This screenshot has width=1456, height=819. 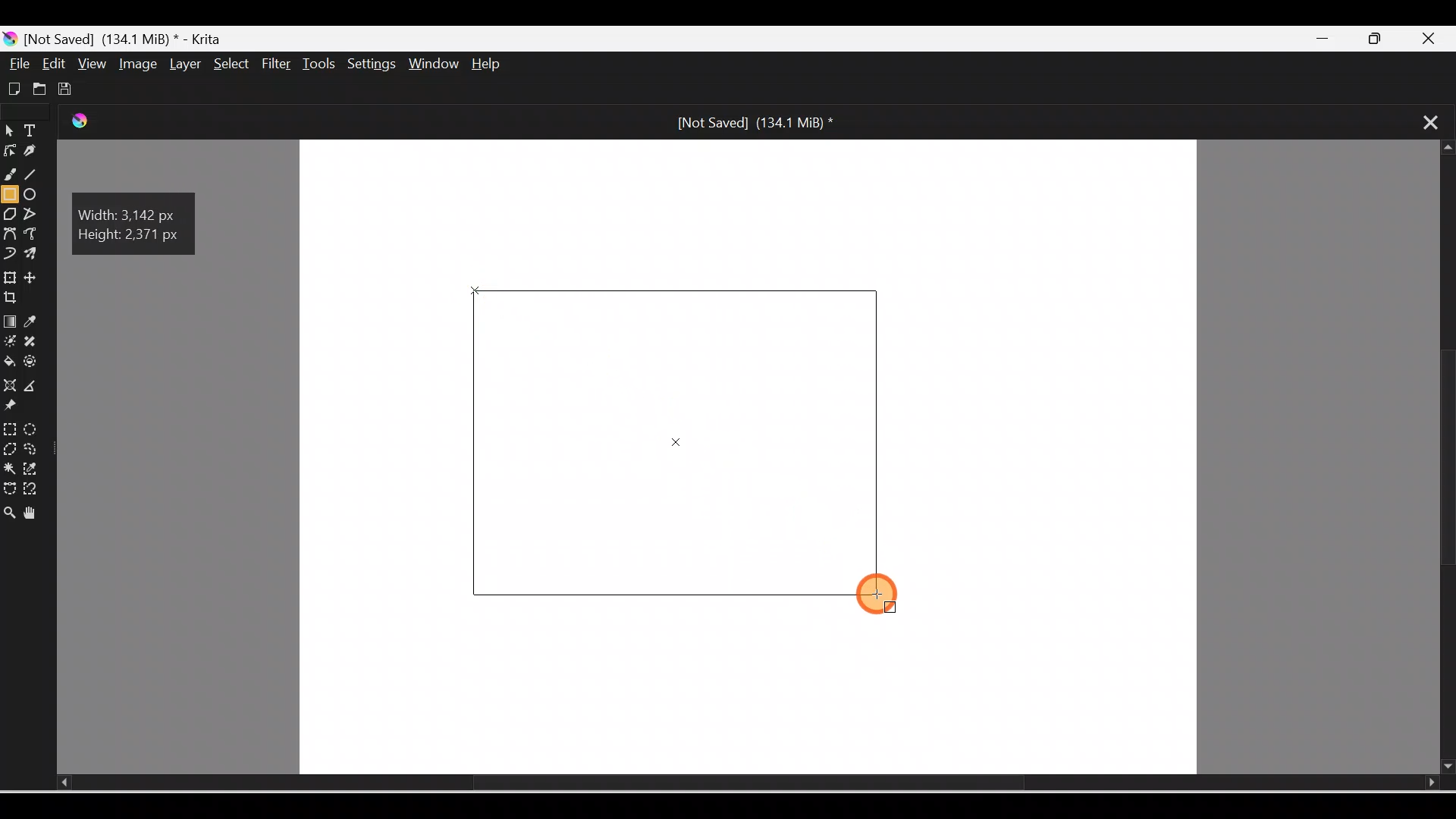 What do you see at coordinates (277, 64) in the screenshot?
I see `Filter` at bounding box center [277, 64].